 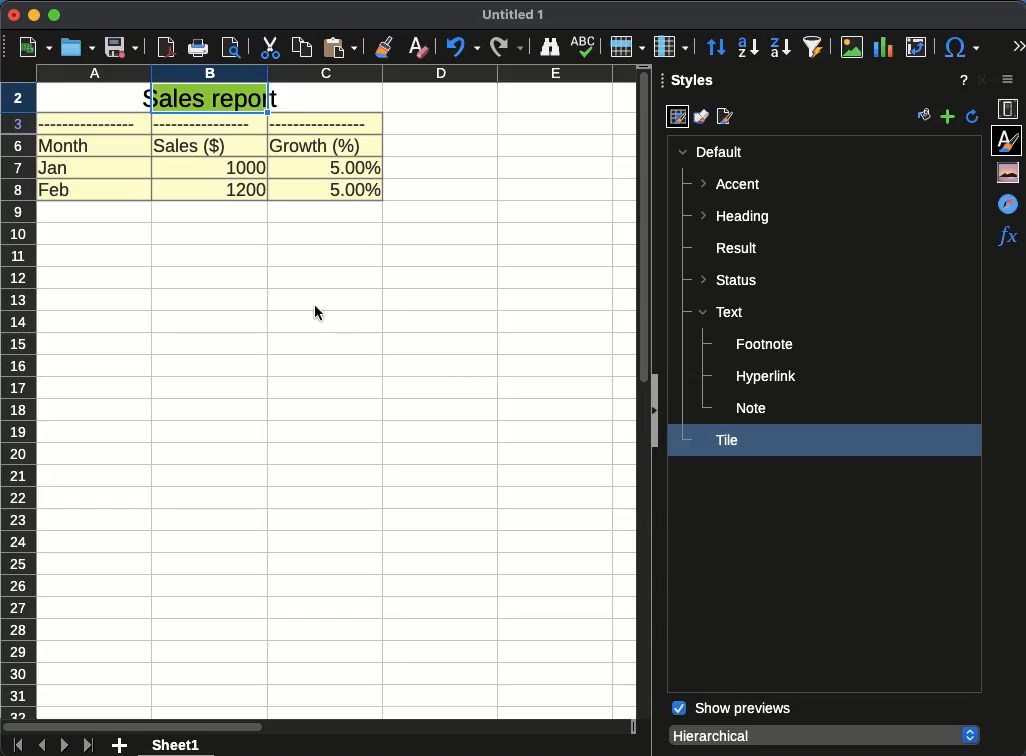 What do you see at coordinates (671, 47) in the screenshot?
I see `column` at bounding box center [671, 47].